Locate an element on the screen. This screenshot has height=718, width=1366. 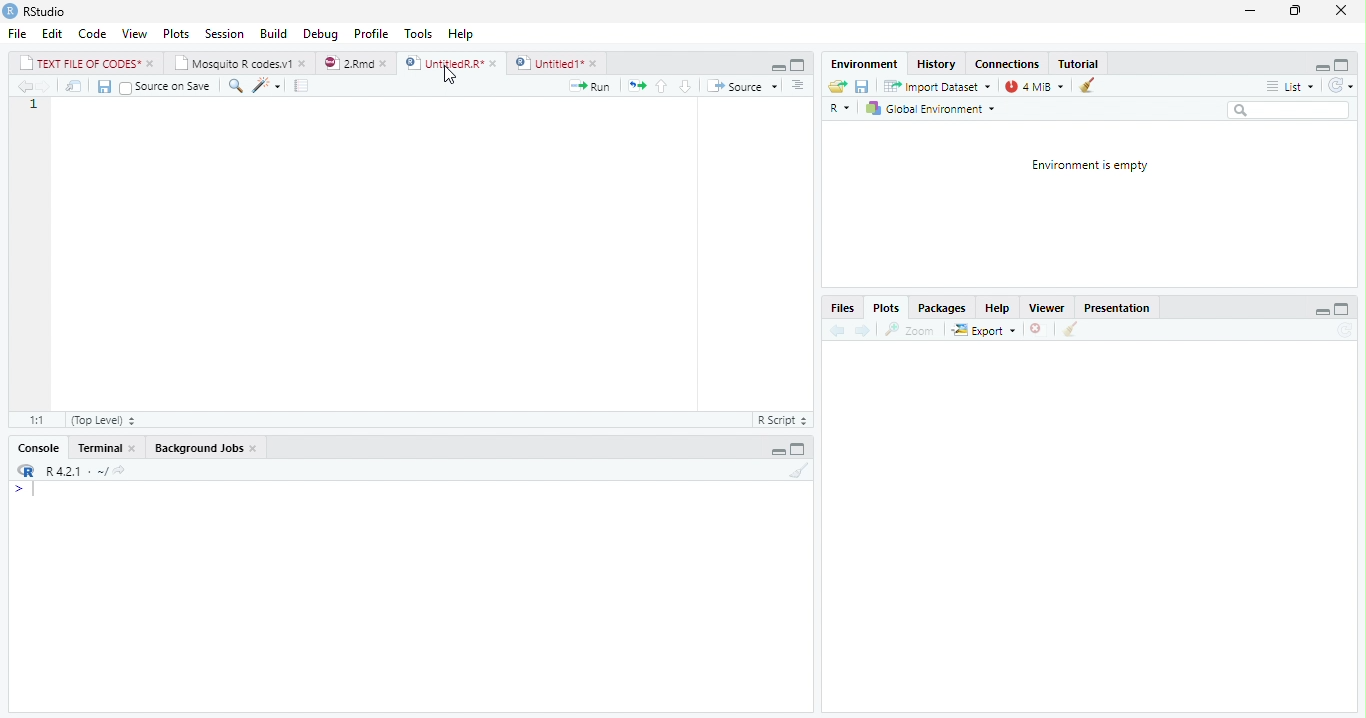
Environment is empty is located at coordinates (1089, 166).